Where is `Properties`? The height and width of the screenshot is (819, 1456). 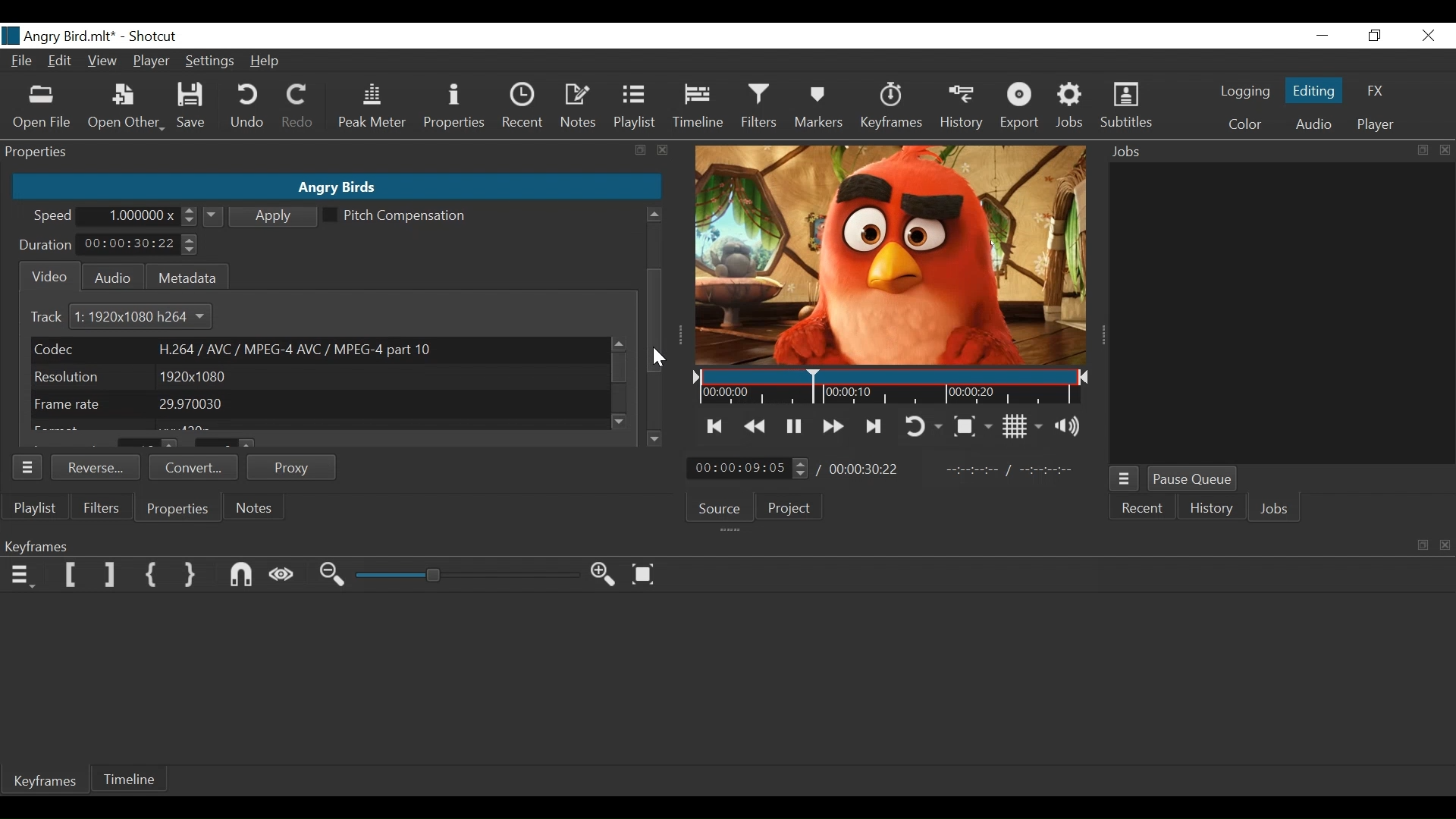 Properties is located at coordinates (453, 108).